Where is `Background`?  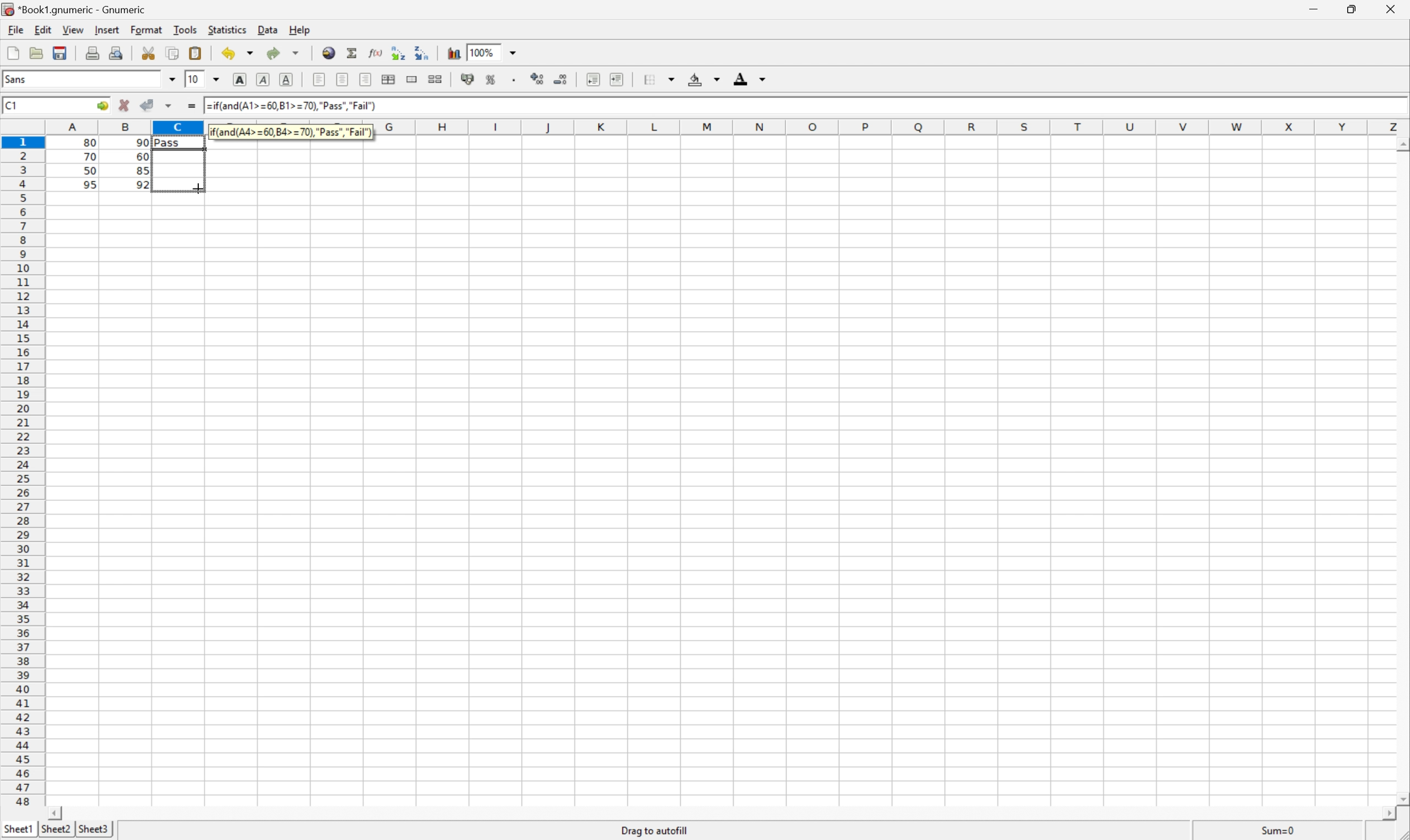 Background is located at coordinates (704, 79).